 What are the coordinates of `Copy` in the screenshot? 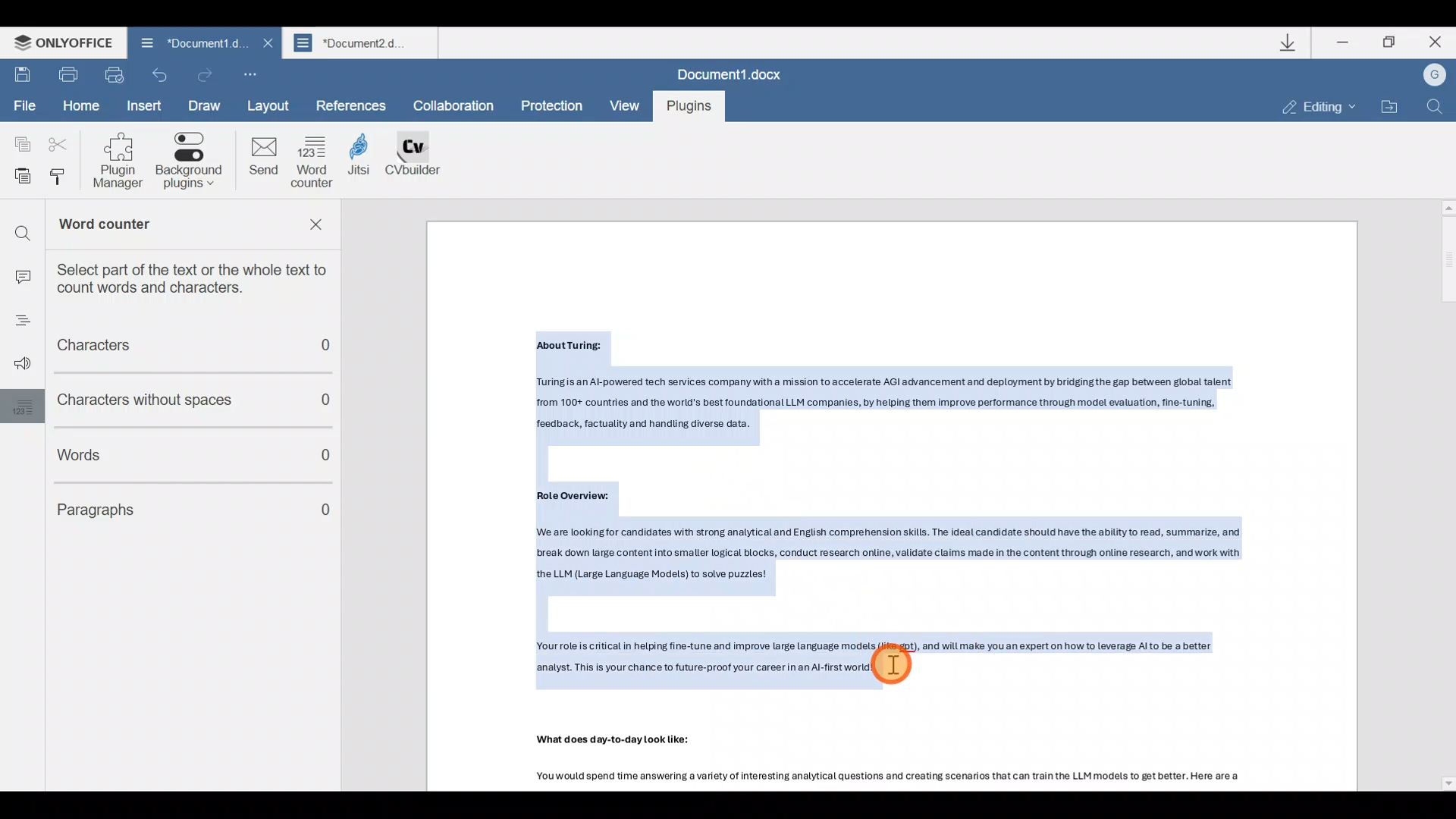 It's located at (20, 143).